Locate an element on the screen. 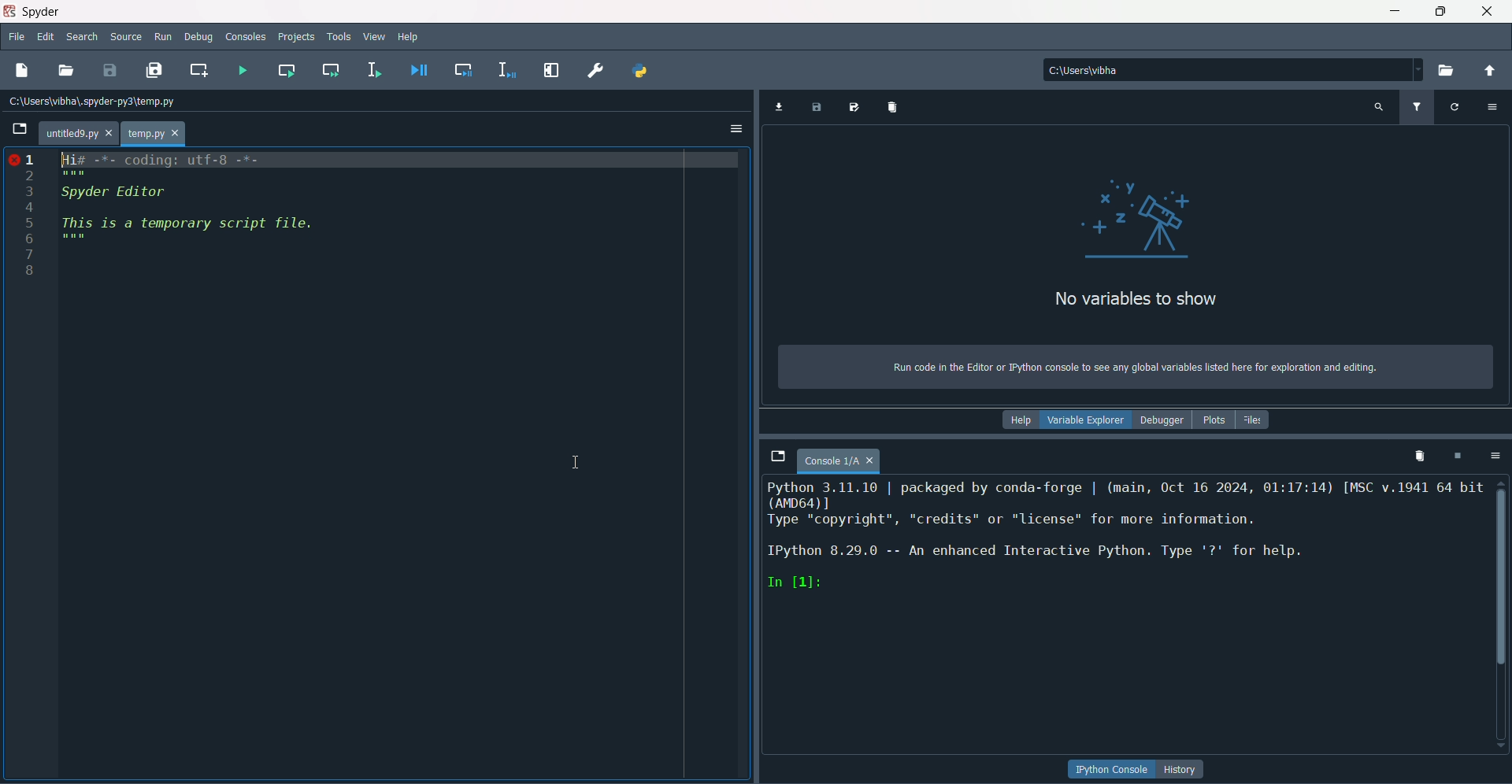  tools is located at coordinates (339, 37).